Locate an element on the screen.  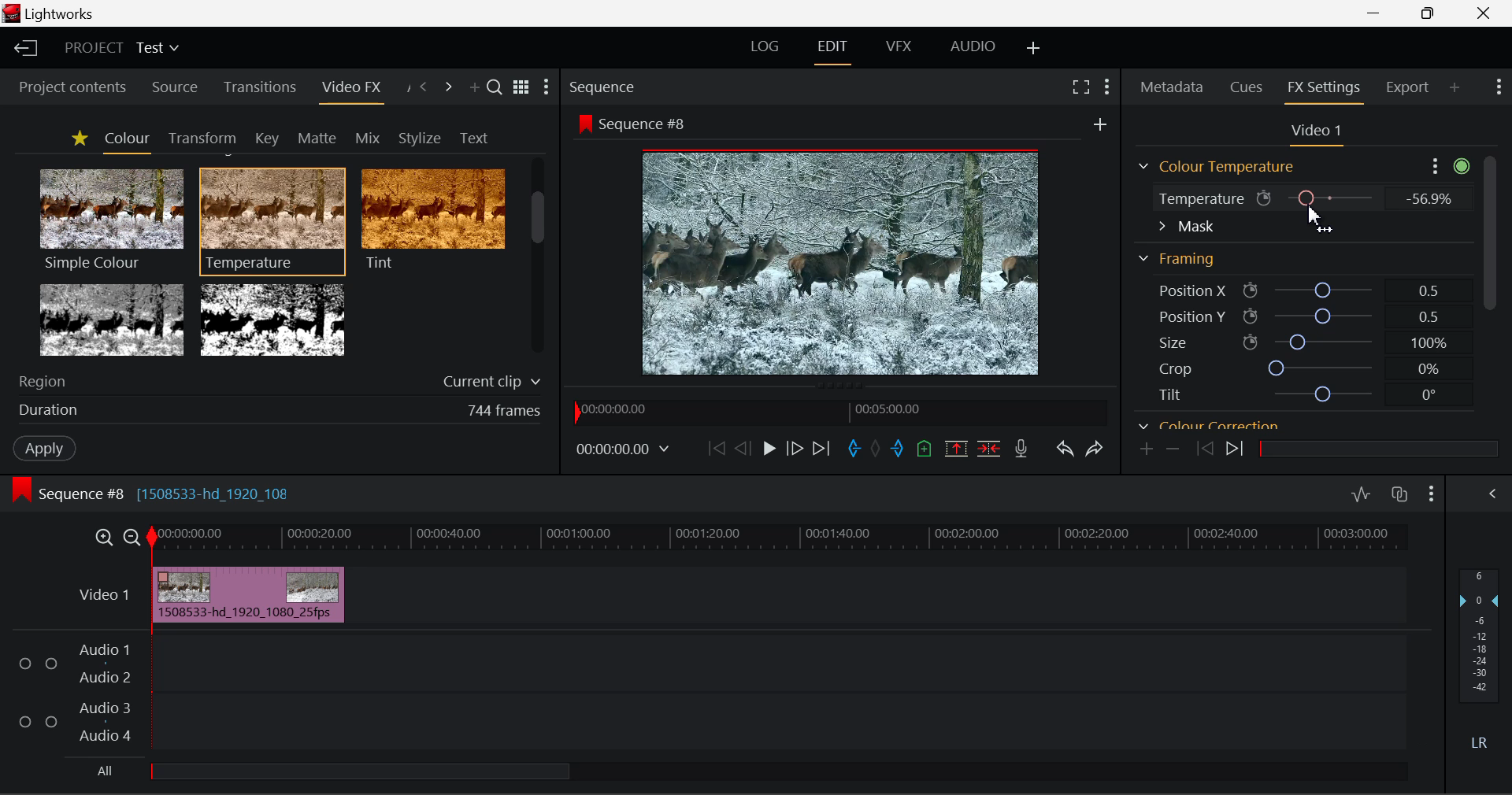
Matte is located at coordinates (317, 138).